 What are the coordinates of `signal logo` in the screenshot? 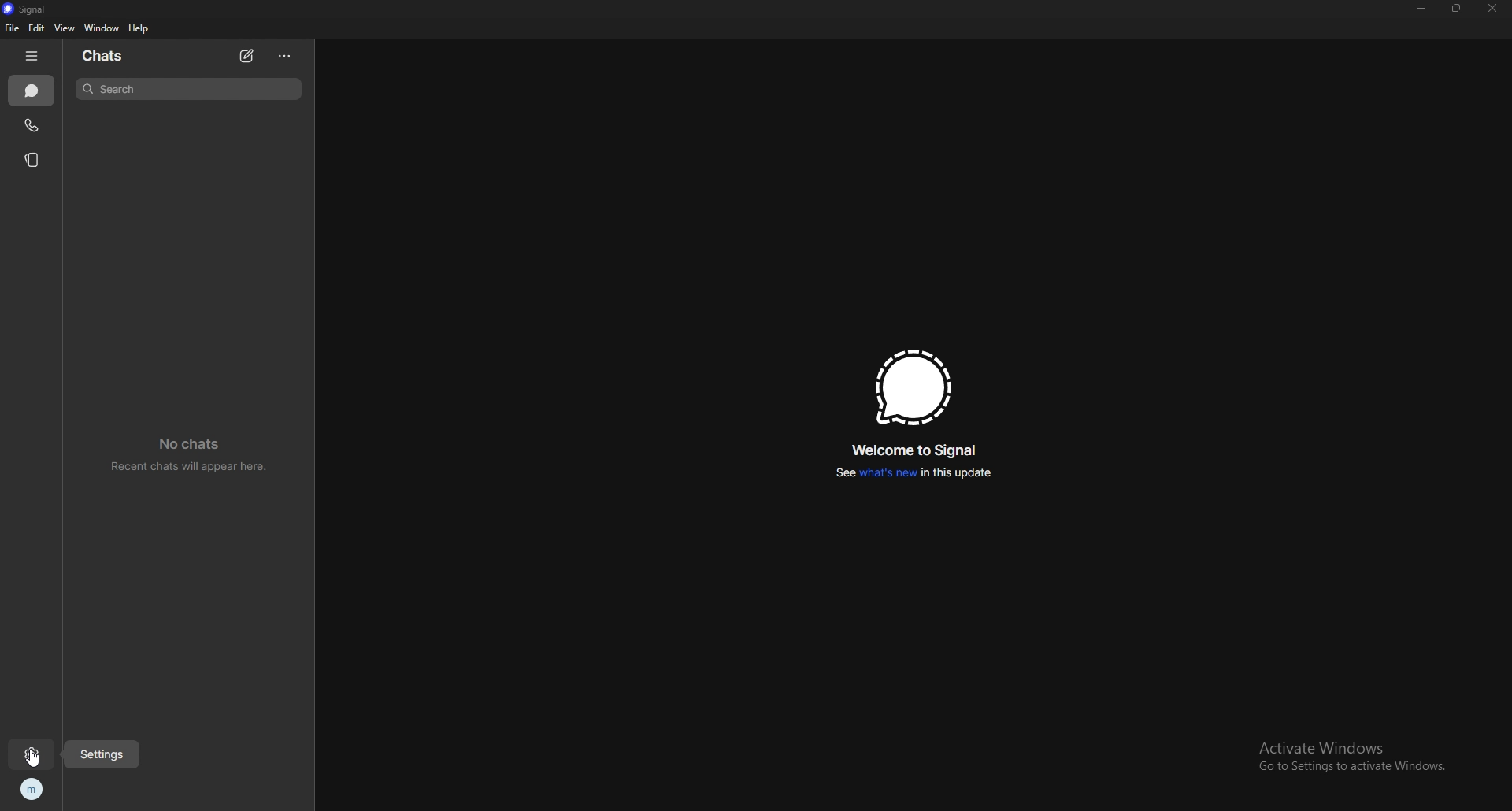 It's located at (910, 387).